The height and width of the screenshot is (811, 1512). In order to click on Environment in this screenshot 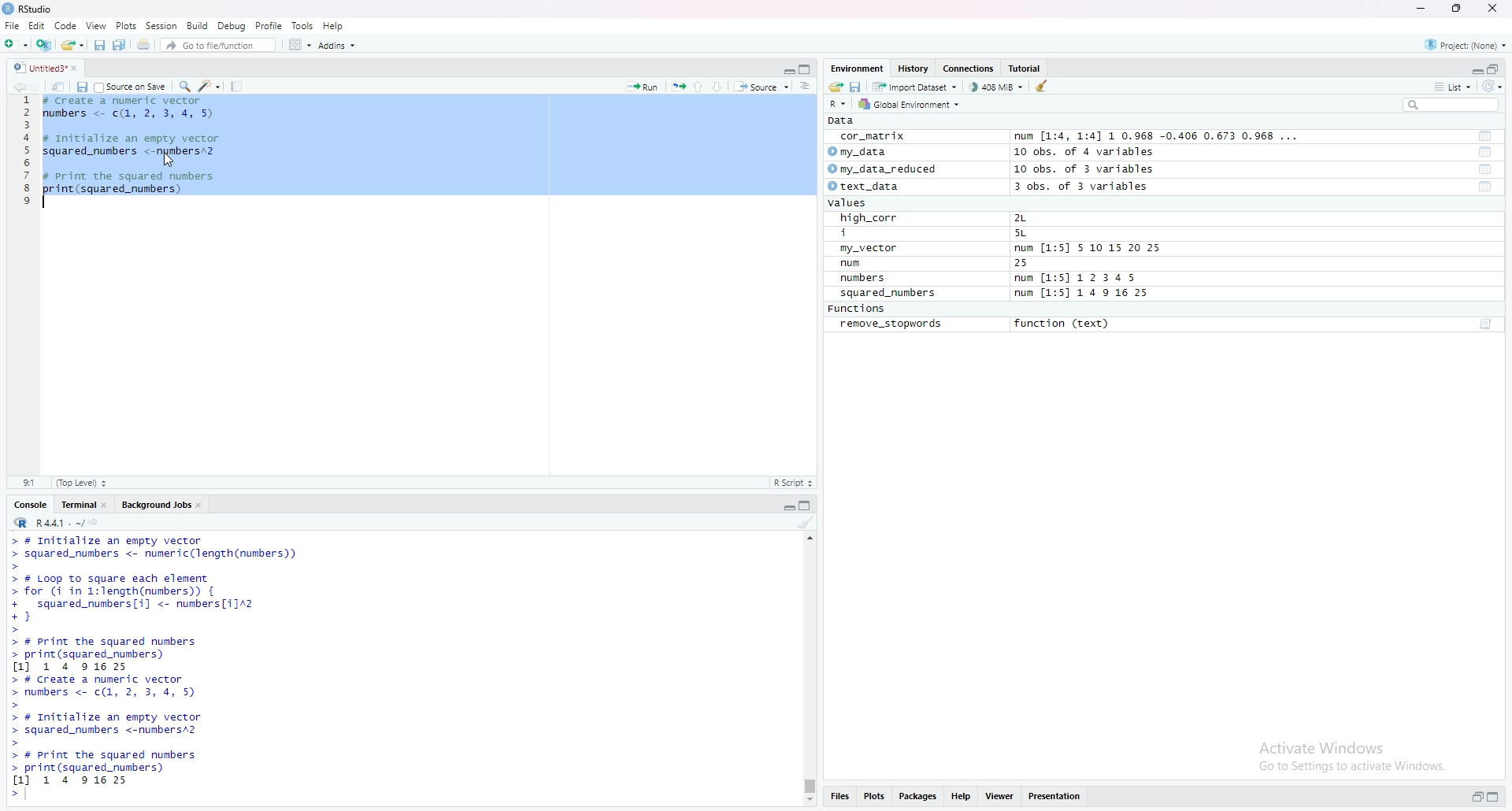, I will do `click(857, 68)`.